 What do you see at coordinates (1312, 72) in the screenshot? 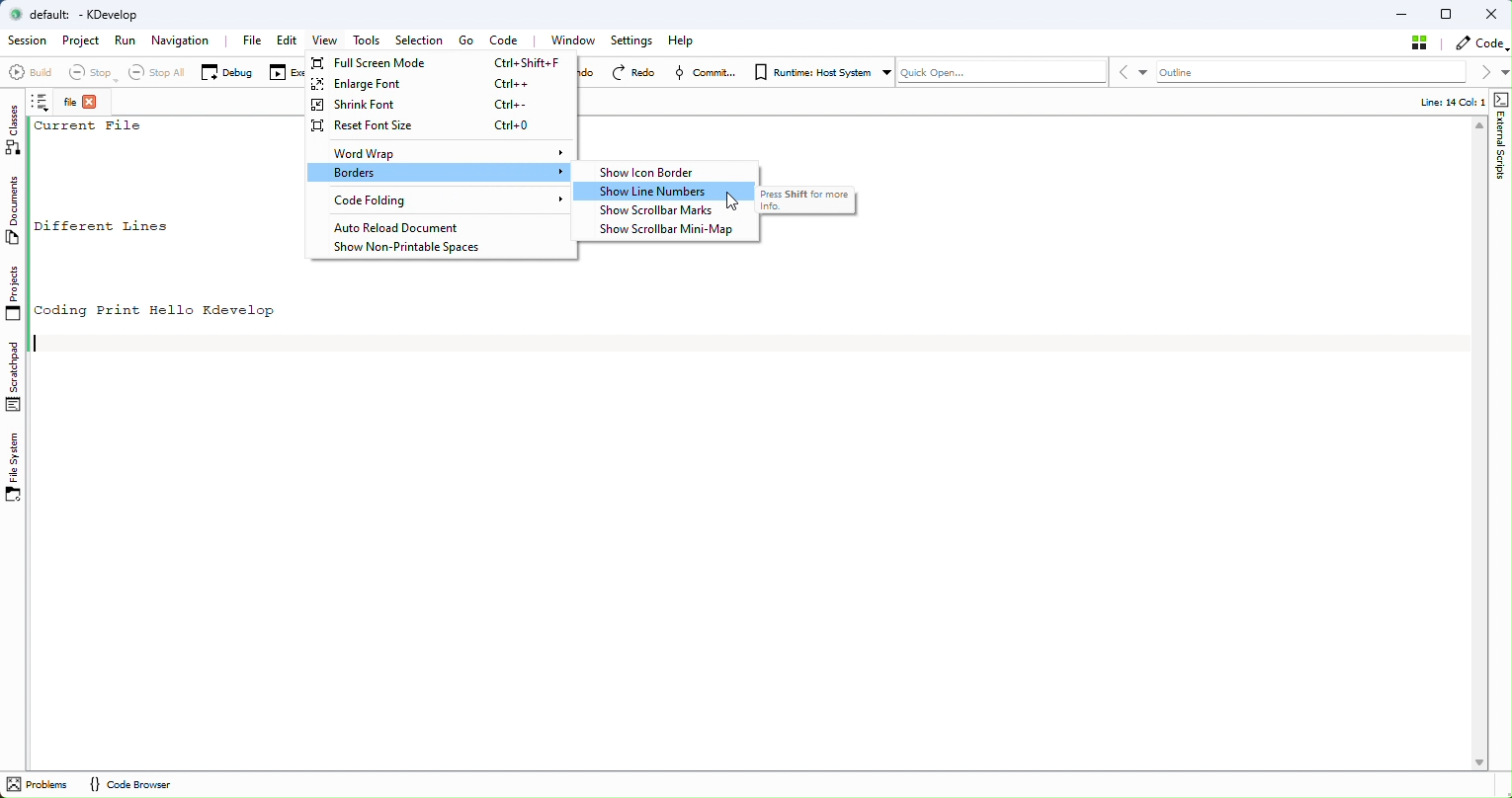
I see `Outline` at bounding box center [1312, 72].